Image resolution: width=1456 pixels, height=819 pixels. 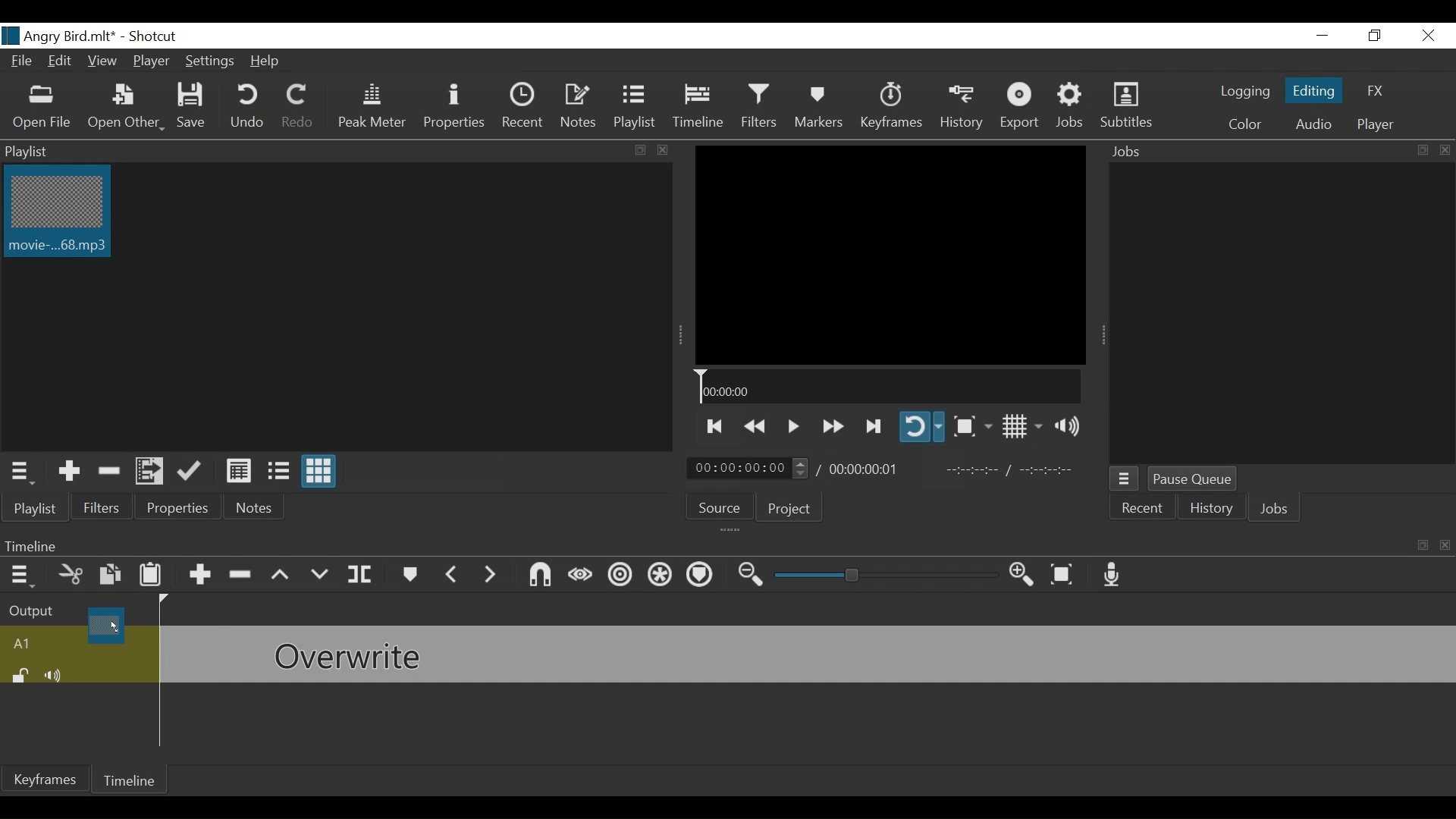 I want to click on Filters, so click(x=99, y=507).